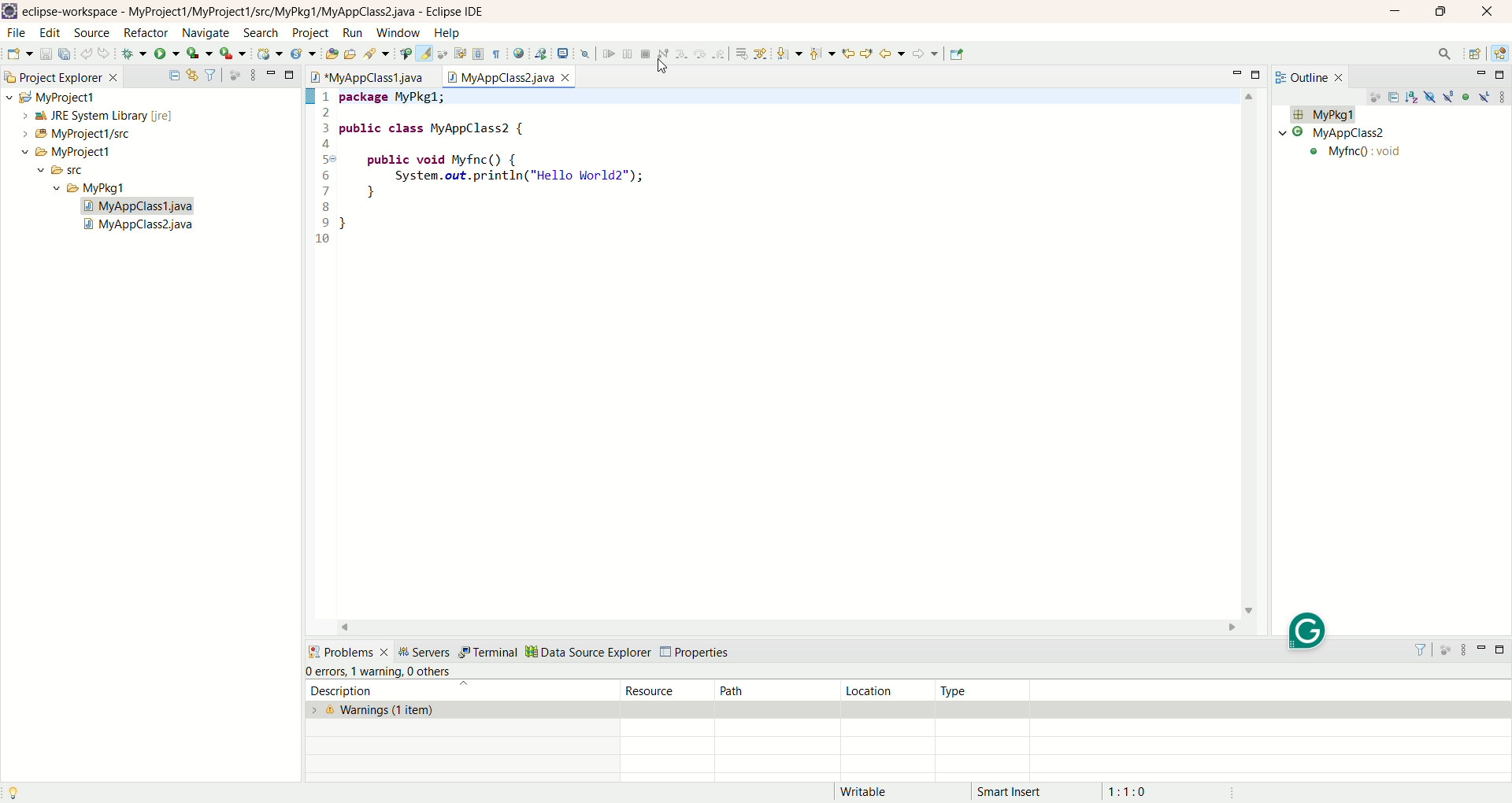  What do you see at coordinates (462, 710) in the screenshot?
I see `warnnings` at bounding box center [462, 710].